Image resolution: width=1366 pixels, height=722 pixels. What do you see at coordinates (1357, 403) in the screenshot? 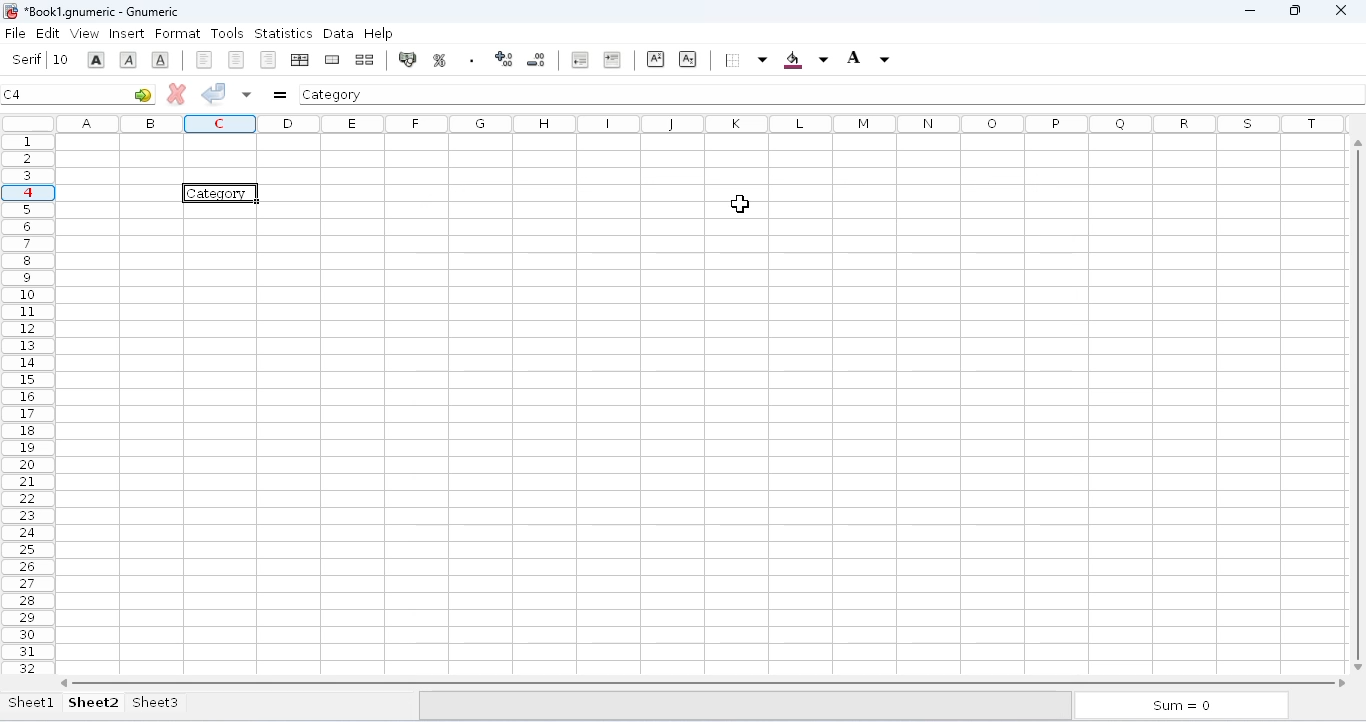
I see `Vertical scroll bar` at bounding box center [1357, 403].